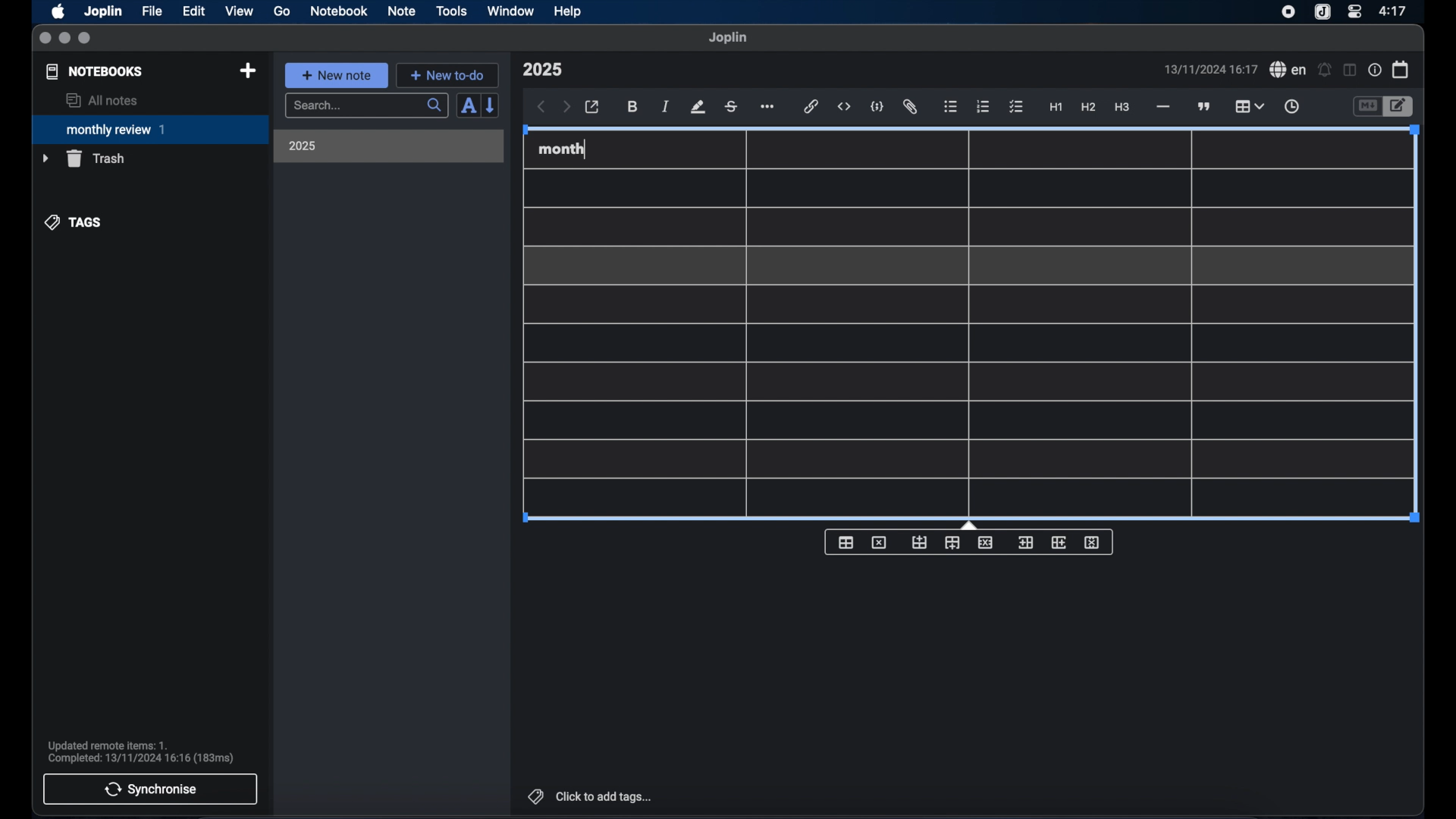 This screenshot has width=1456, height=819. Describe the element at coordinates (45, 39) in the screenshot. I see `close` at that location.